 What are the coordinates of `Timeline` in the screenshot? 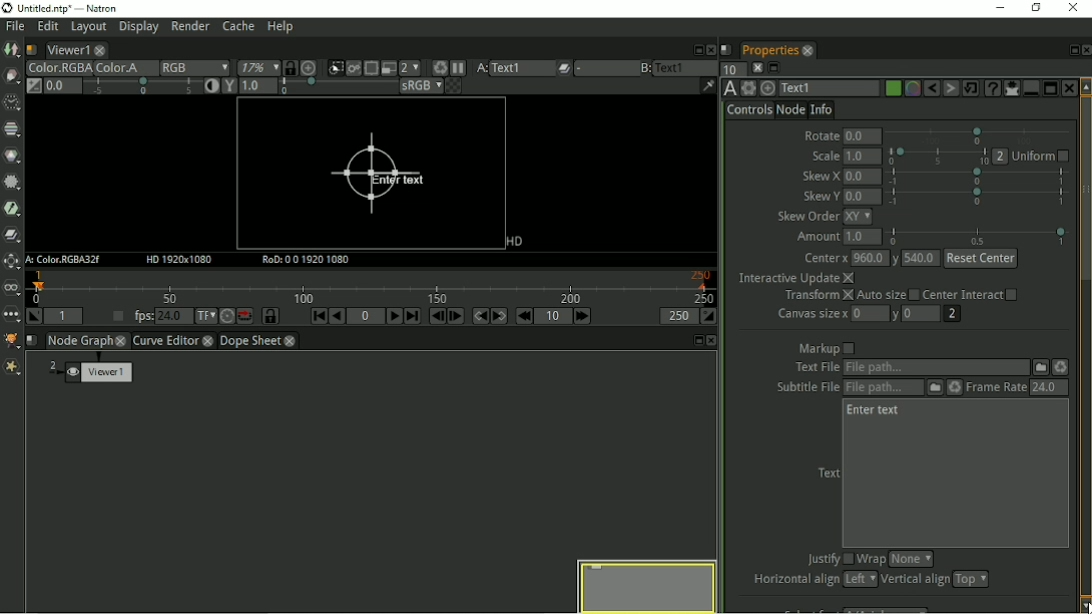 It's located at (374, 287).